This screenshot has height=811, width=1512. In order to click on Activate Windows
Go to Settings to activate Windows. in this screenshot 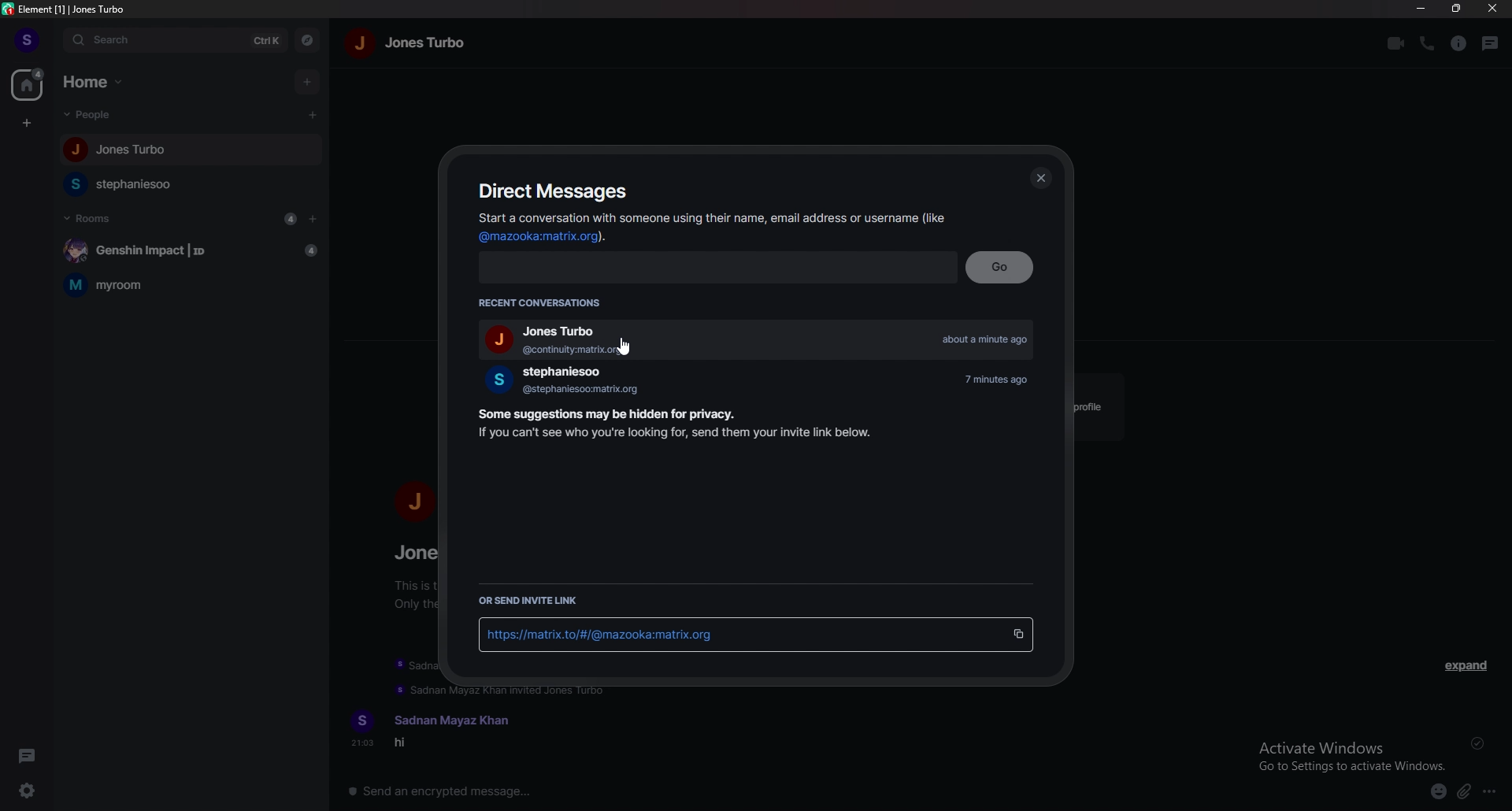, I will do `click(1353, 754)`.